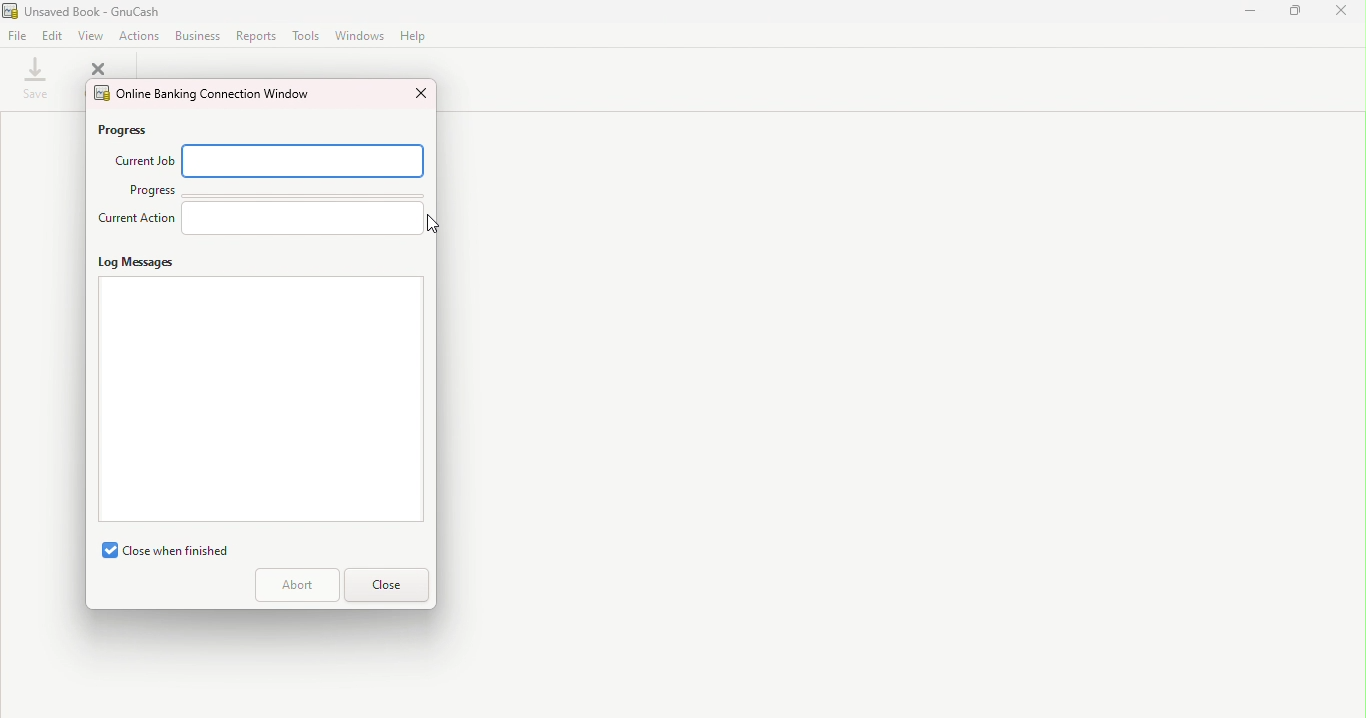 The height and width of the screenshot is (718, 1366). Describe the element at coordinates (1250, 17) in the screenshot. I see `Minimize` at that location.